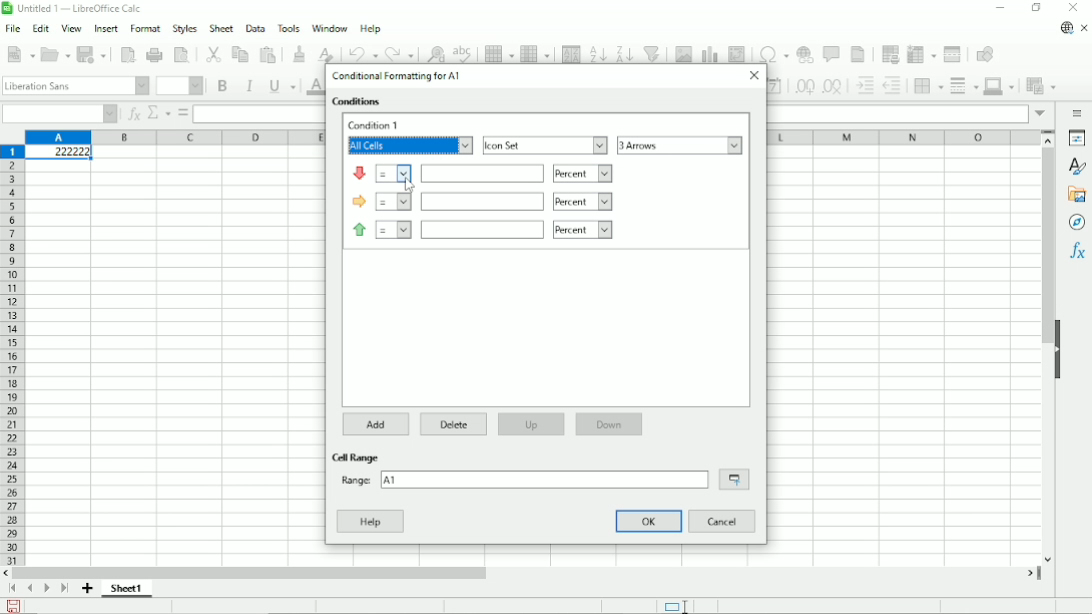 The width and height of the screenshot is (1092, 614). What do you see at coordinates (184, 28) in the screenshot?
I see `Styles` at bounding box center [184, 28].